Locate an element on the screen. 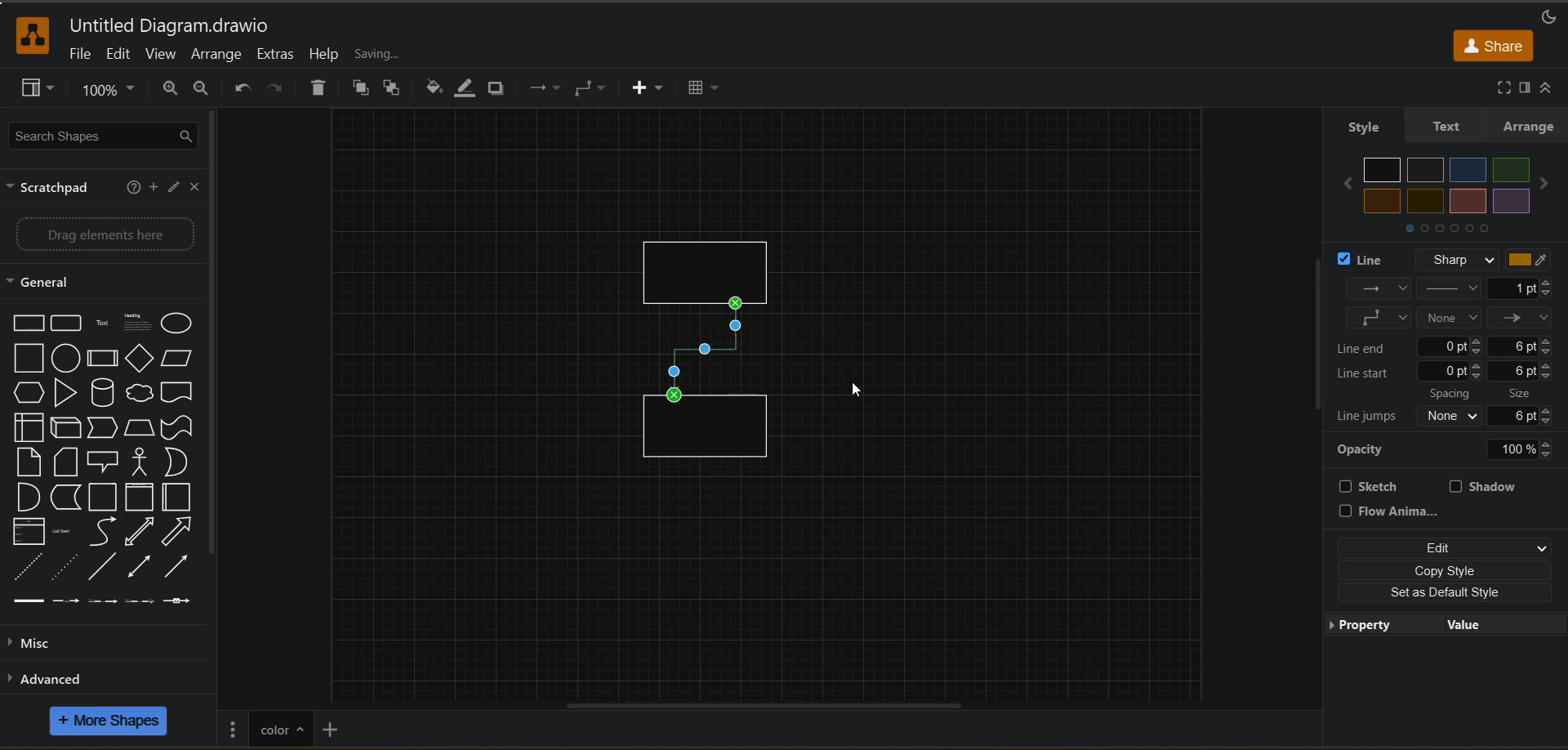  slide indicator is located at coordinates (1448, 232).